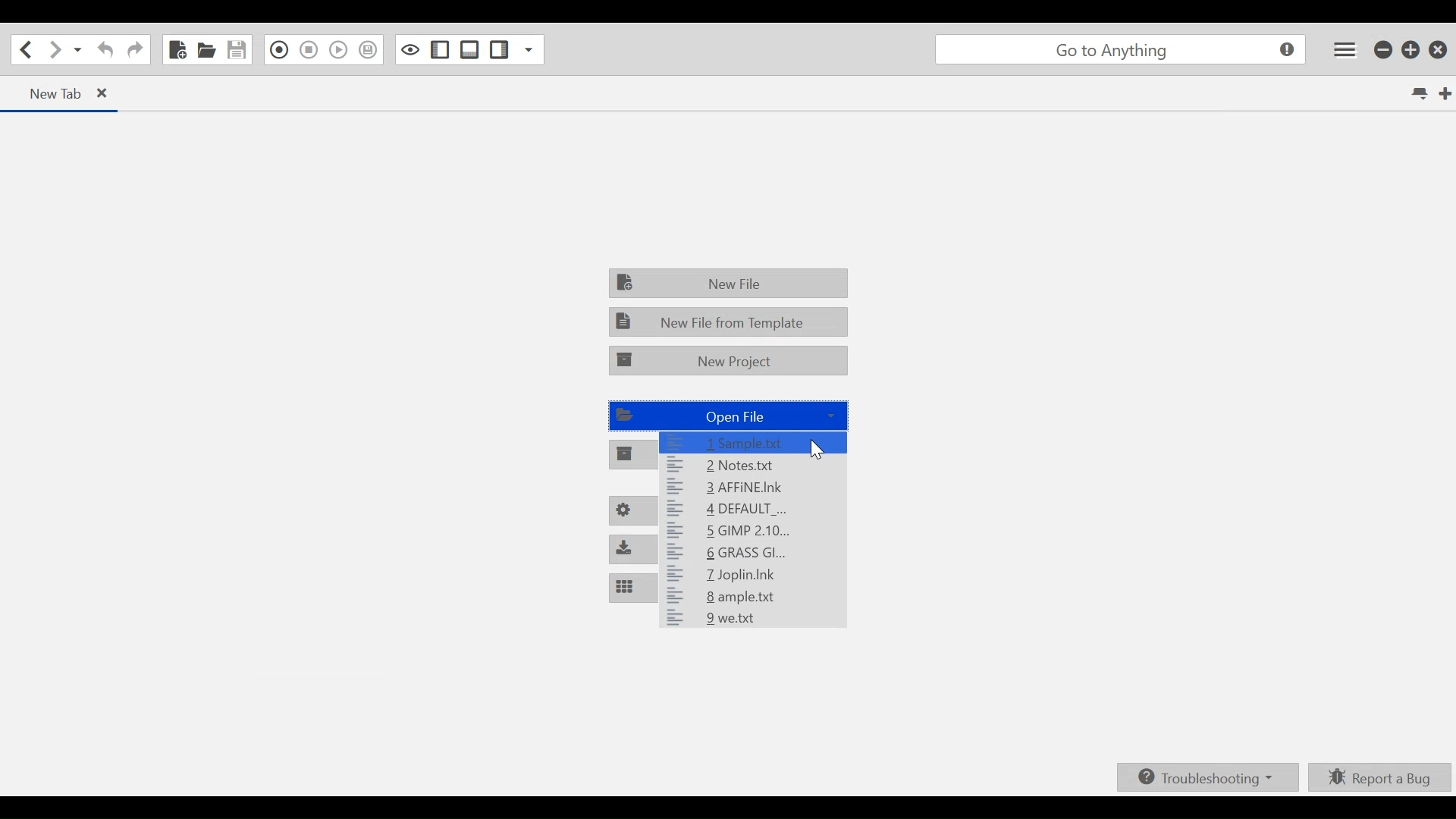 This screenshot has height=819, width=1456. Describe the element at coordinates (1439, 50) in the screenshot. I see `Close` at that location.